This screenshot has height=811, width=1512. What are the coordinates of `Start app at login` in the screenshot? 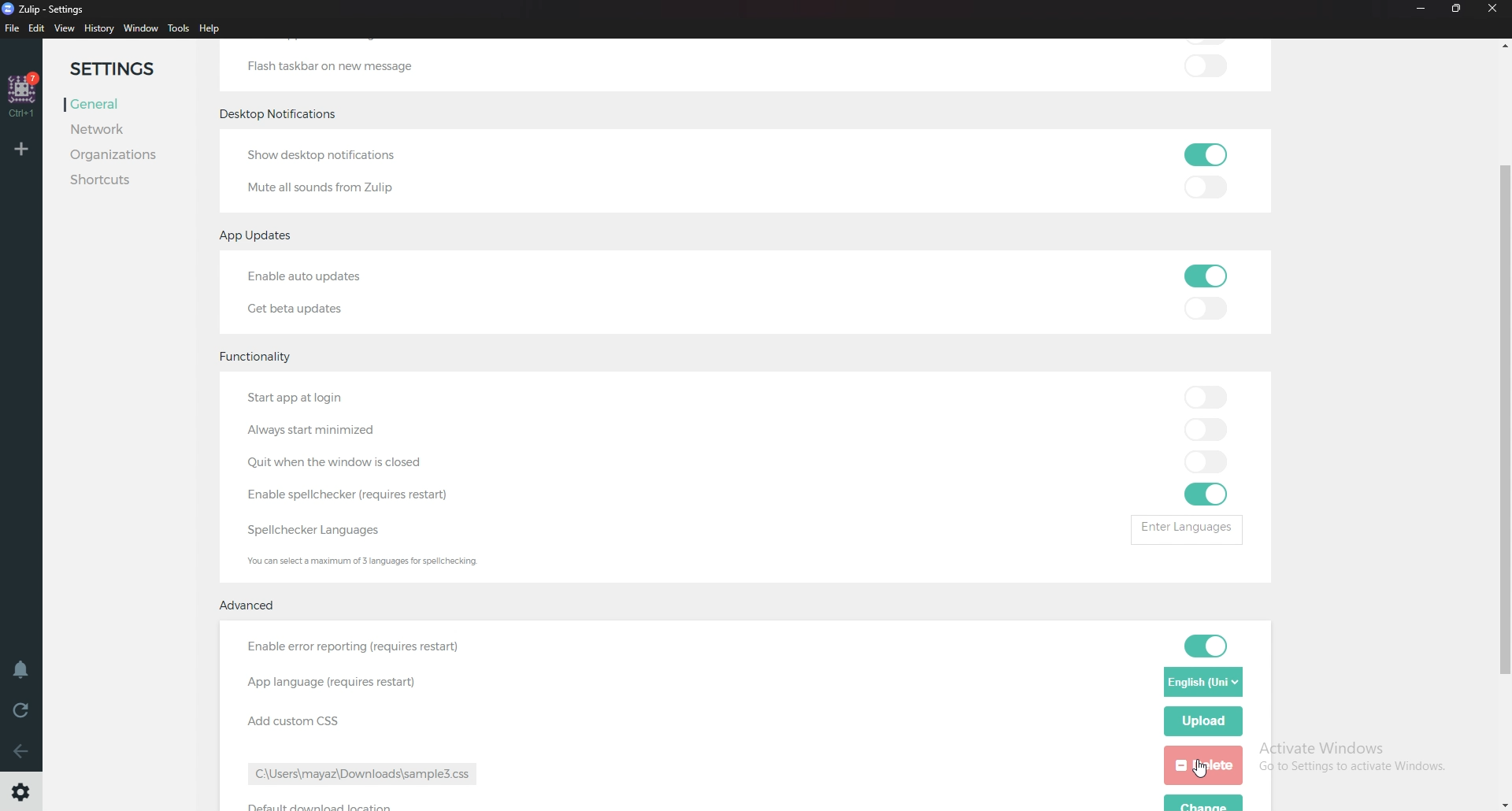 It's located at (325, 398).